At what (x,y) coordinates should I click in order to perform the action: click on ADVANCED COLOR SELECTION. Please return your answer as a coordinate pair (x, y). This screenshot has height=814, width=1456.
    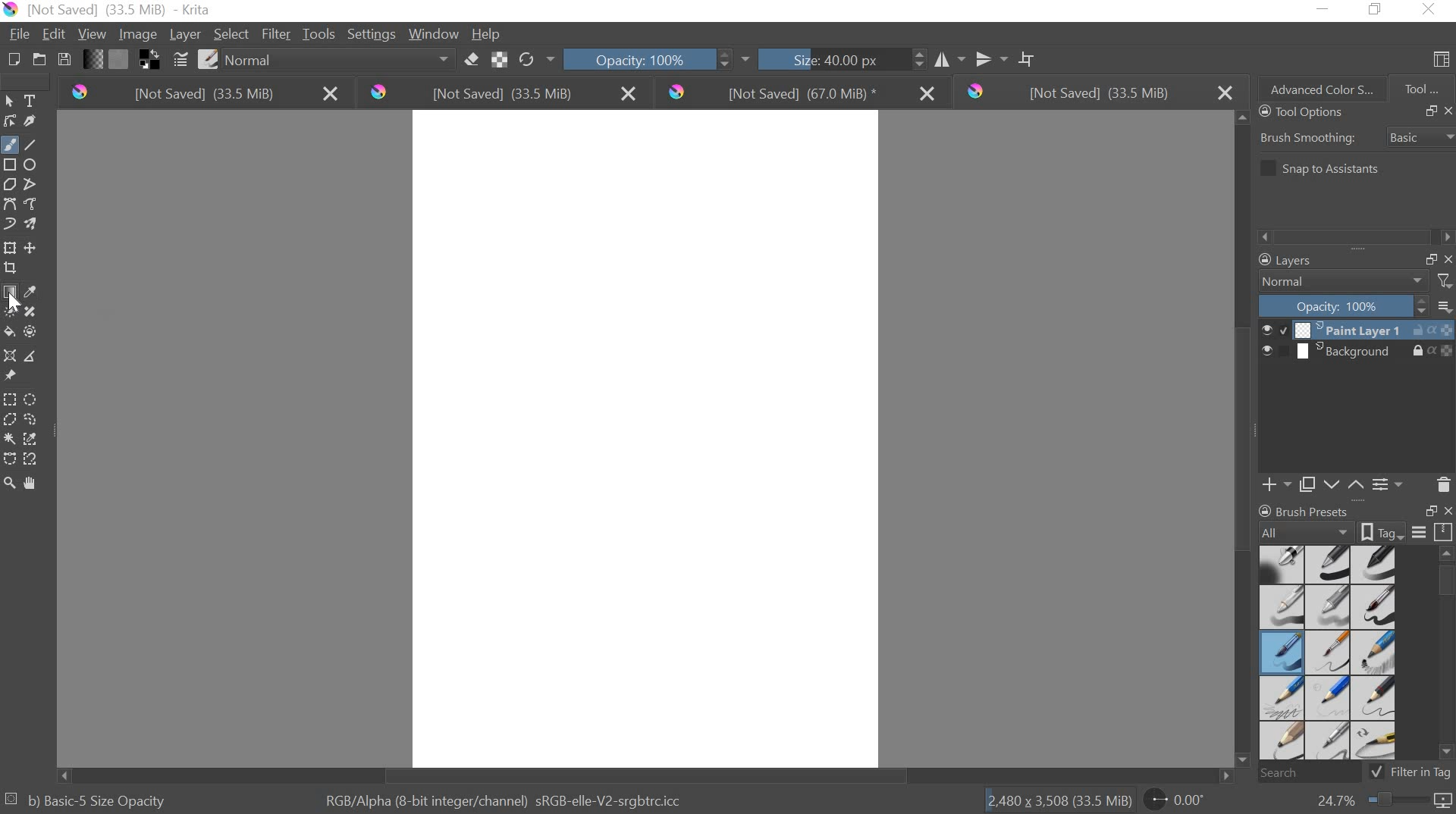
    Looking at the image, I should click on (1316, 86).